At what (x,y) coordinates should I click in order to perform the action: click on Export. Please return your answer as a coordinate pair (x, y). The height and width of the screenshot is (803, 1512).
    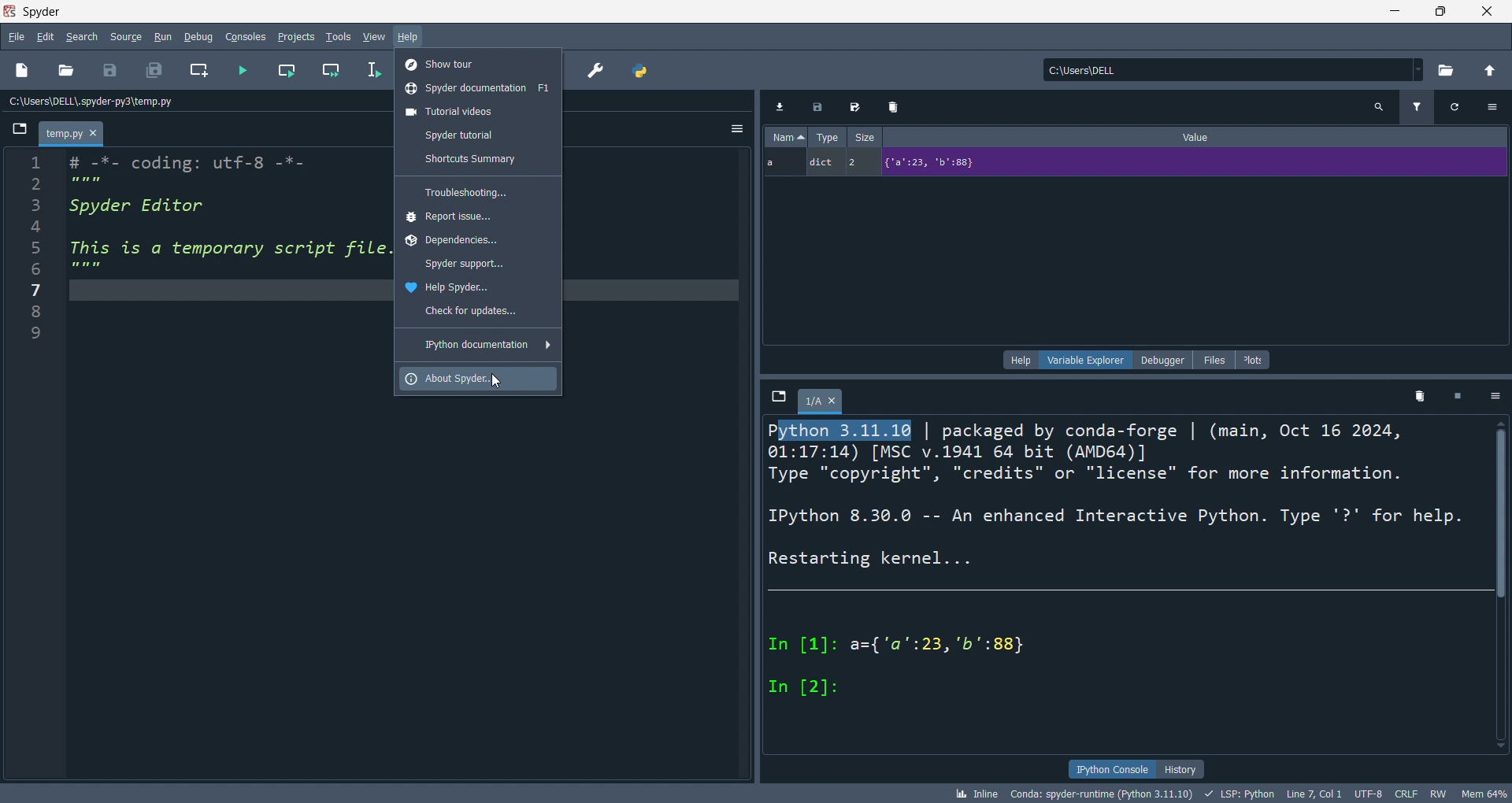
    Looking at the image, I should click on (817, 105).